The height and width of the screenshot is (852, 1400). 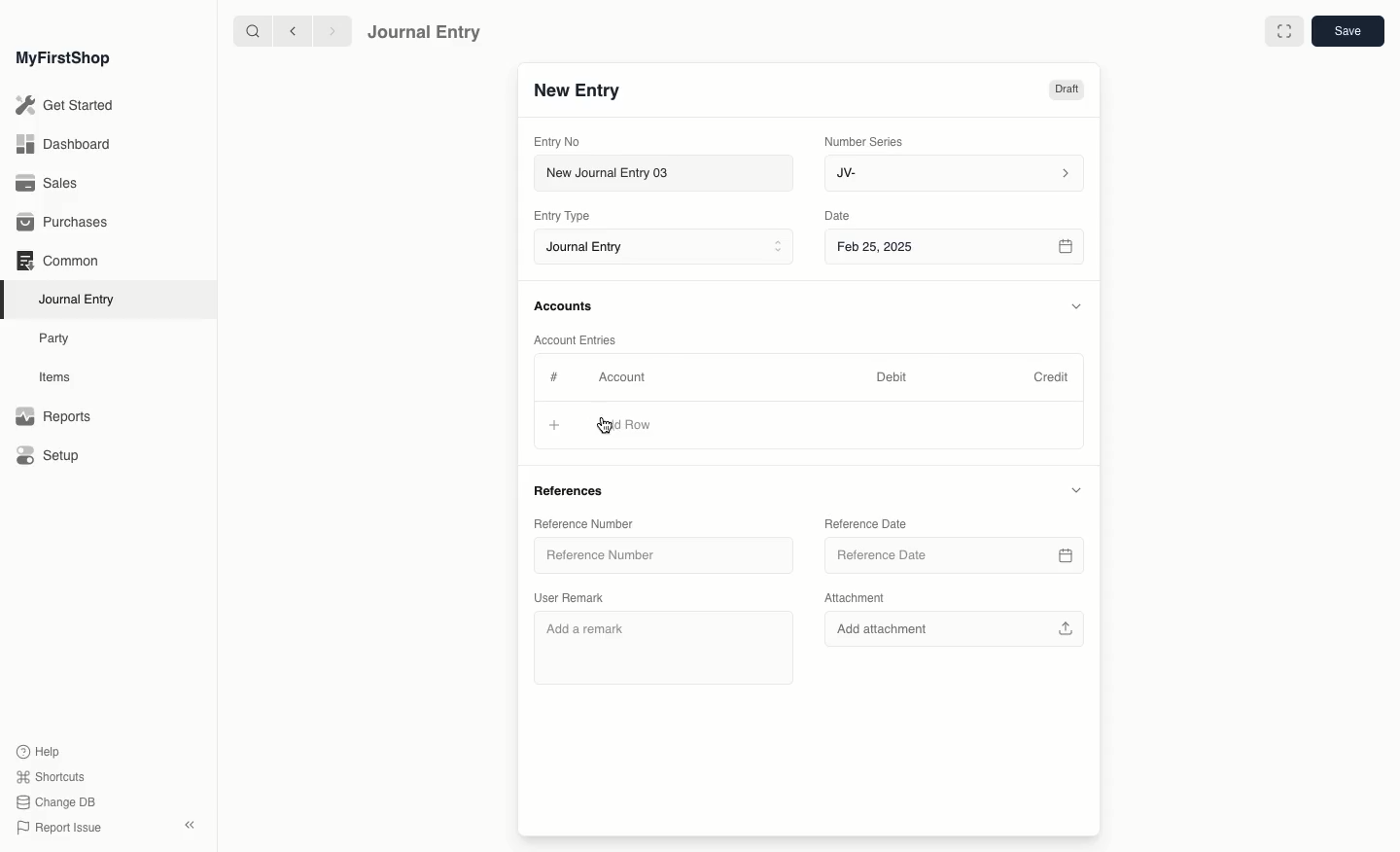 I want to click on Account Entries, so click(x=582, y=340).